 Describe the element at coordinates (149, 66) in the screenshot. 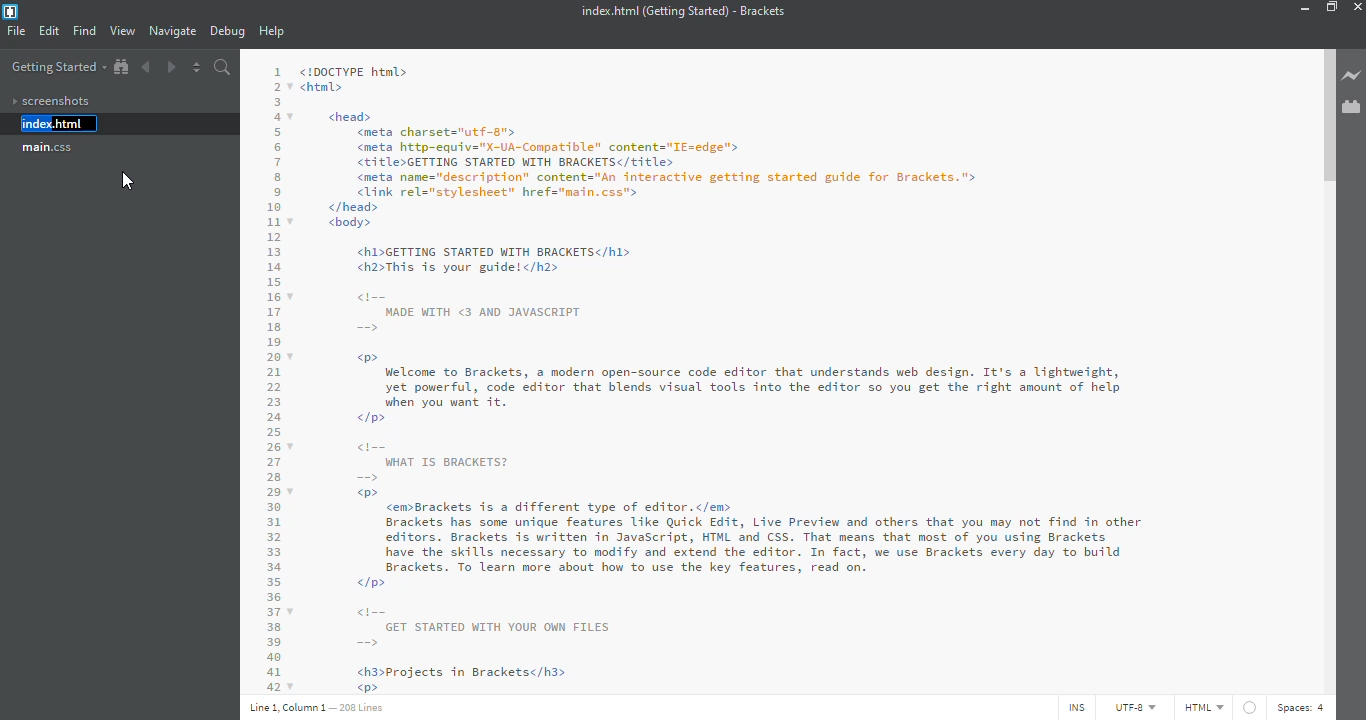

I see `back` at that location.